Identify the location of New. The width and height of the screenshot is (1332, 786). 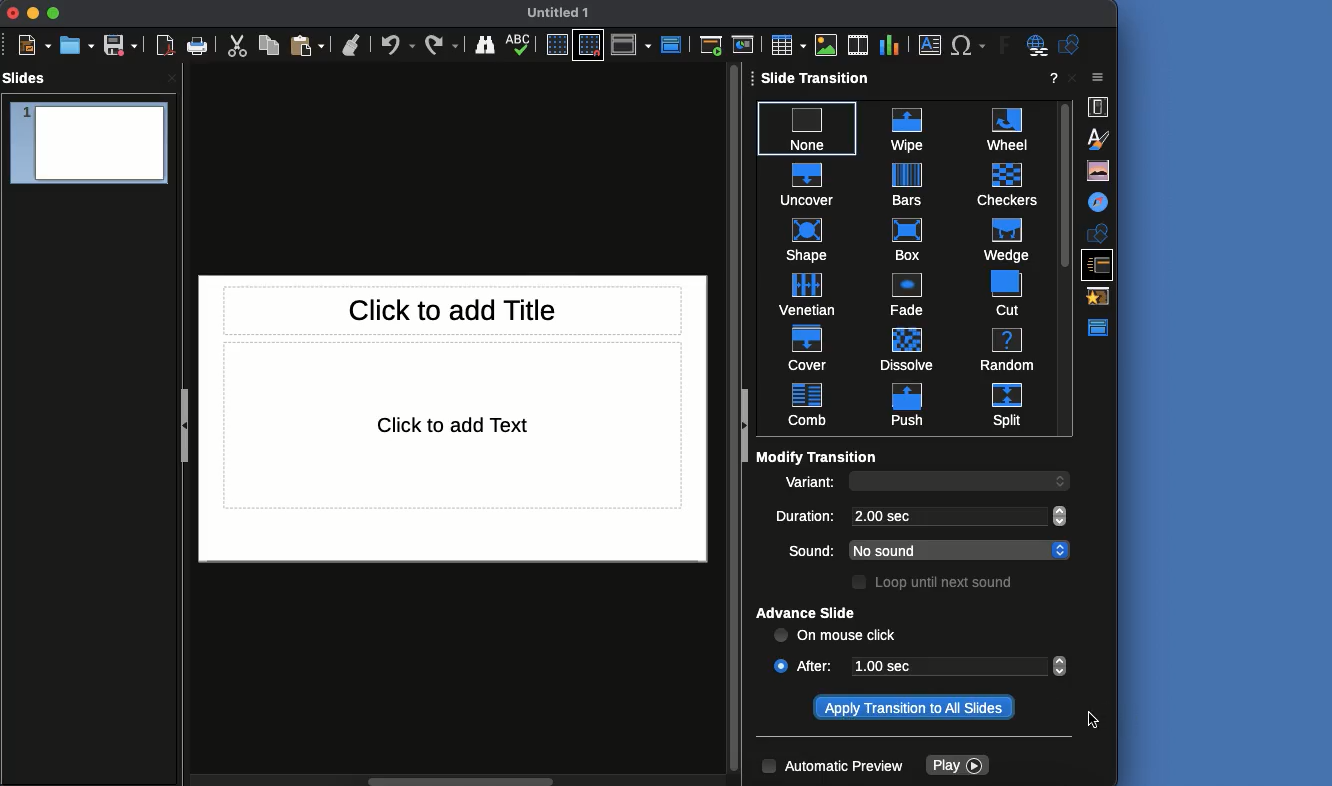
(36, 46).